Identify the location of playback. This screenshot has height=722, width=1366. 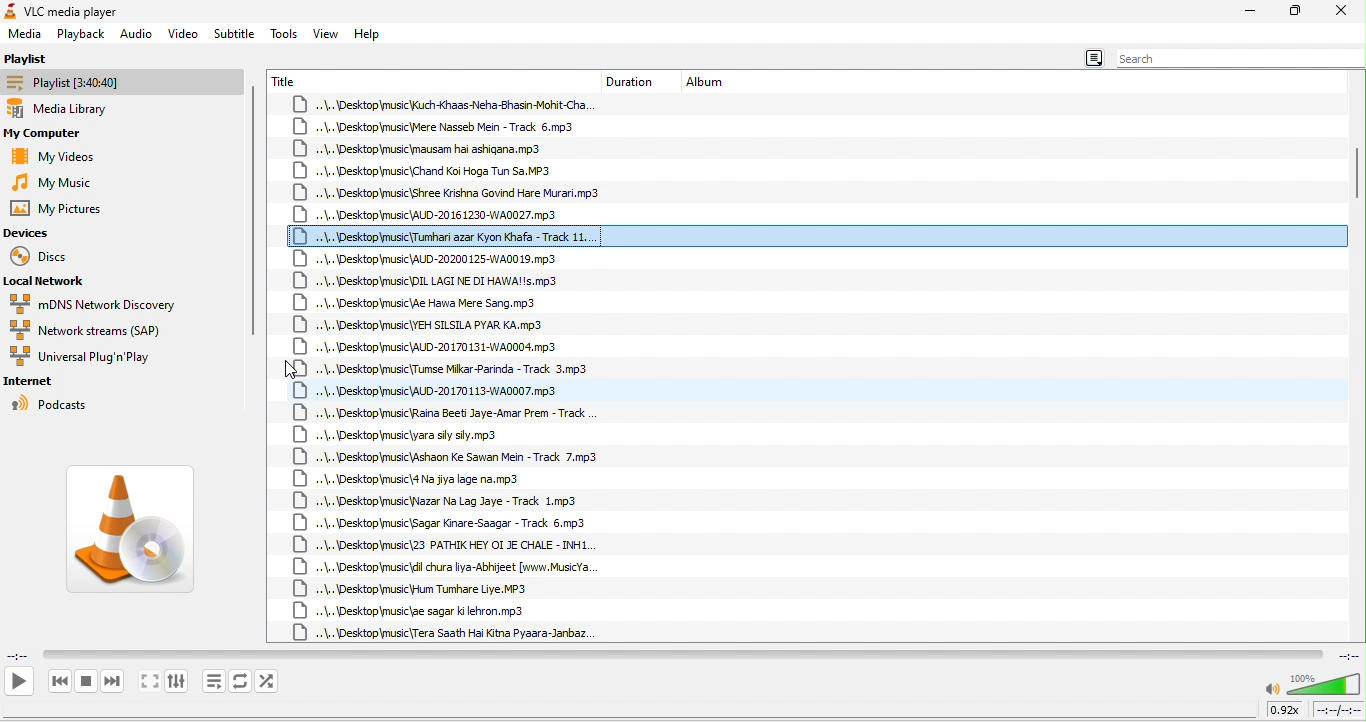
(82, 34).